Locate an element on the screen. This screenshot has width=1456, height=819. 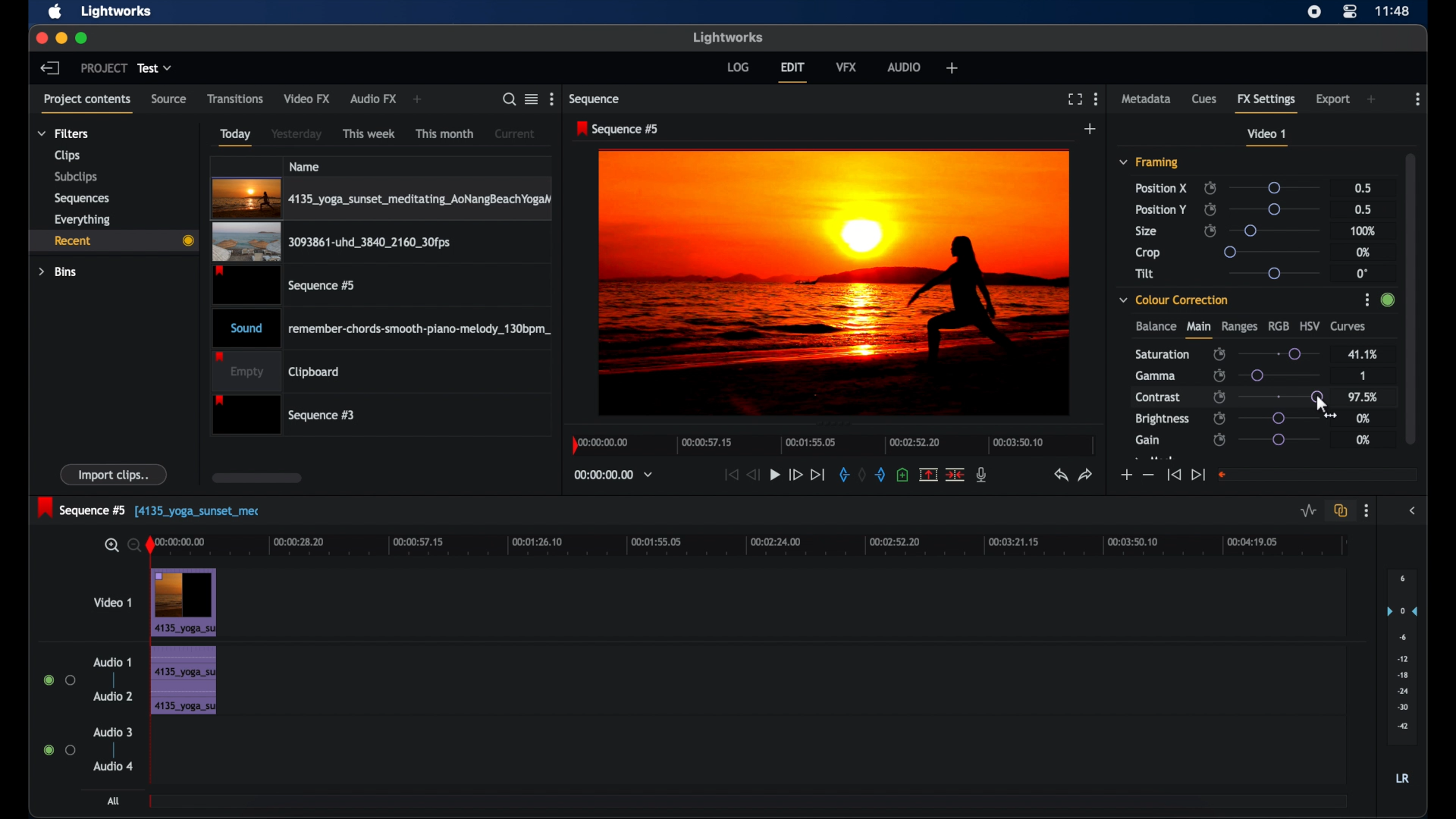
in mark is located at coordinates (843, 474).